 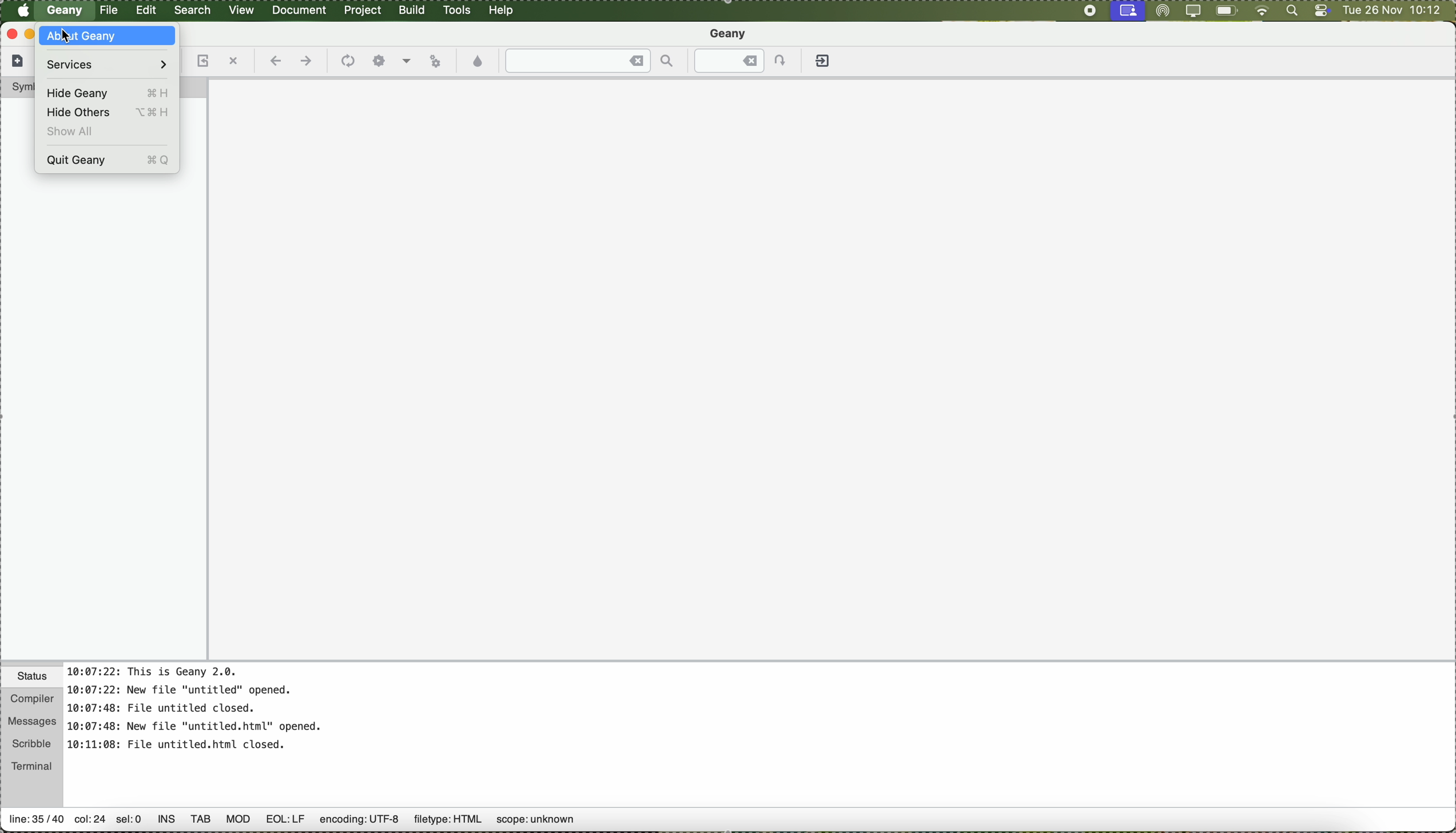 I want to click on build, so click(x=415, y=11).